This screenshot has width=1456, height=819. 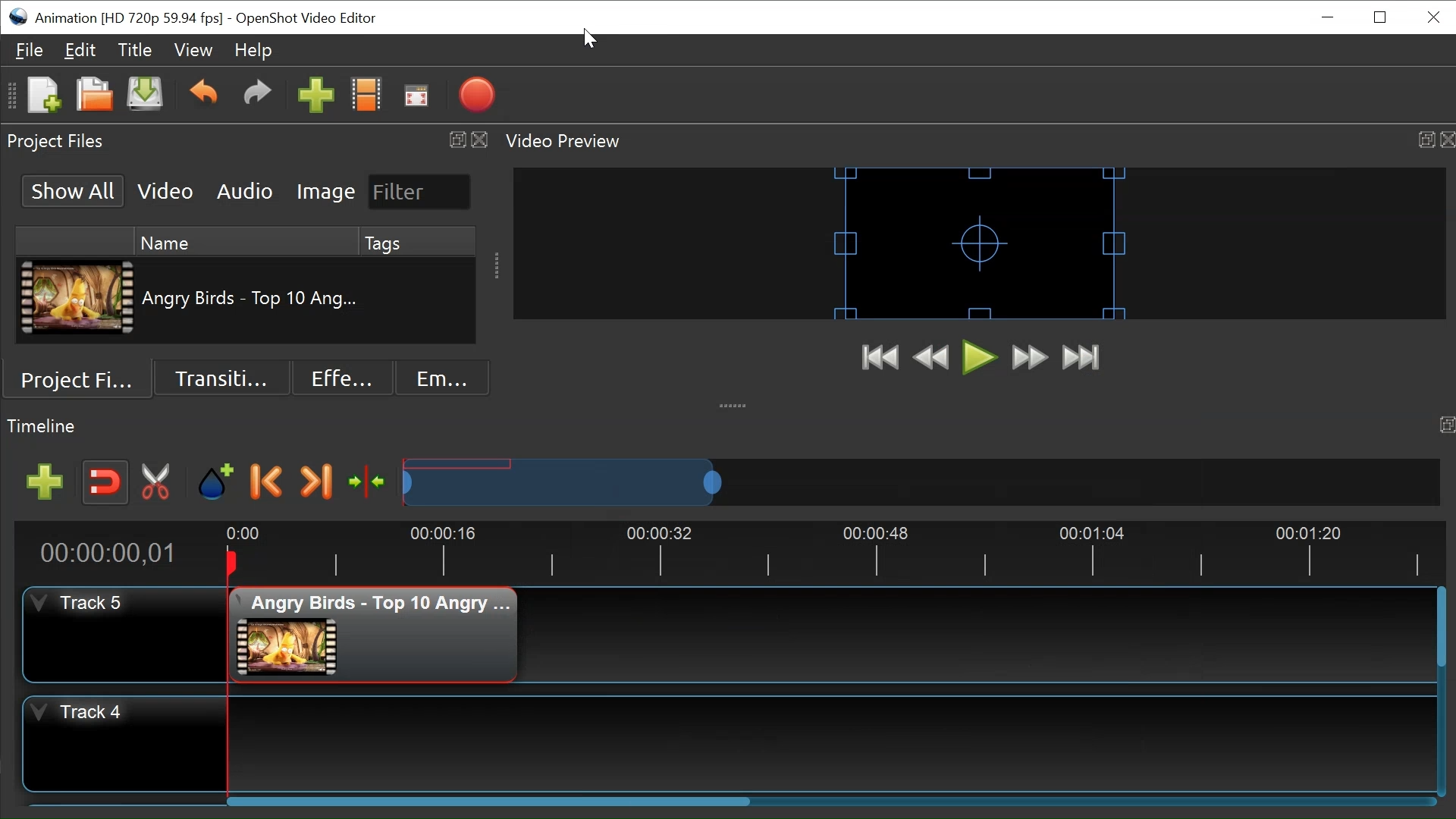 I want to click on Clip, so click(x=78, y=296).